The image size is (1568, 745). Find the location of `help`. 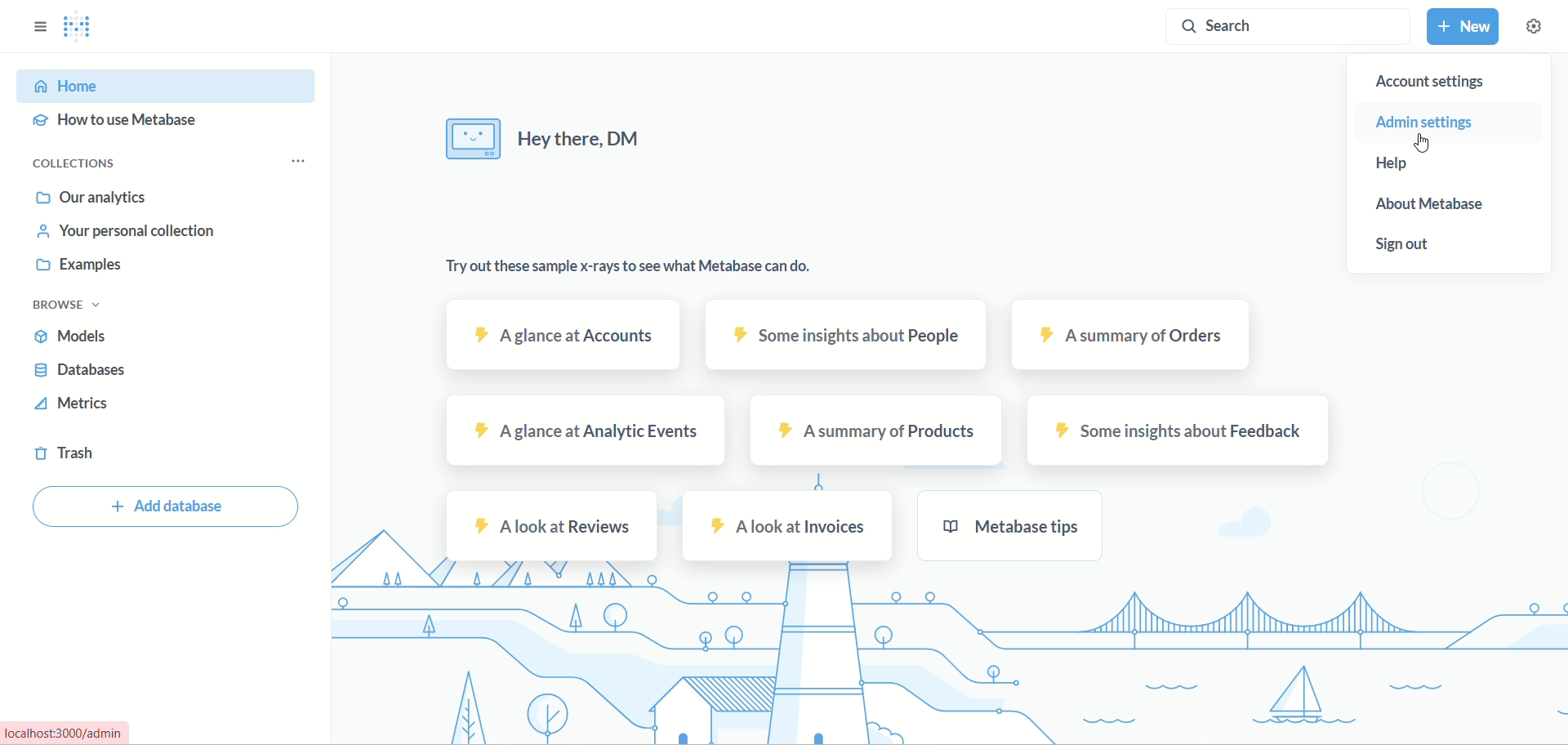

help is located at coordinates (1395, 165).